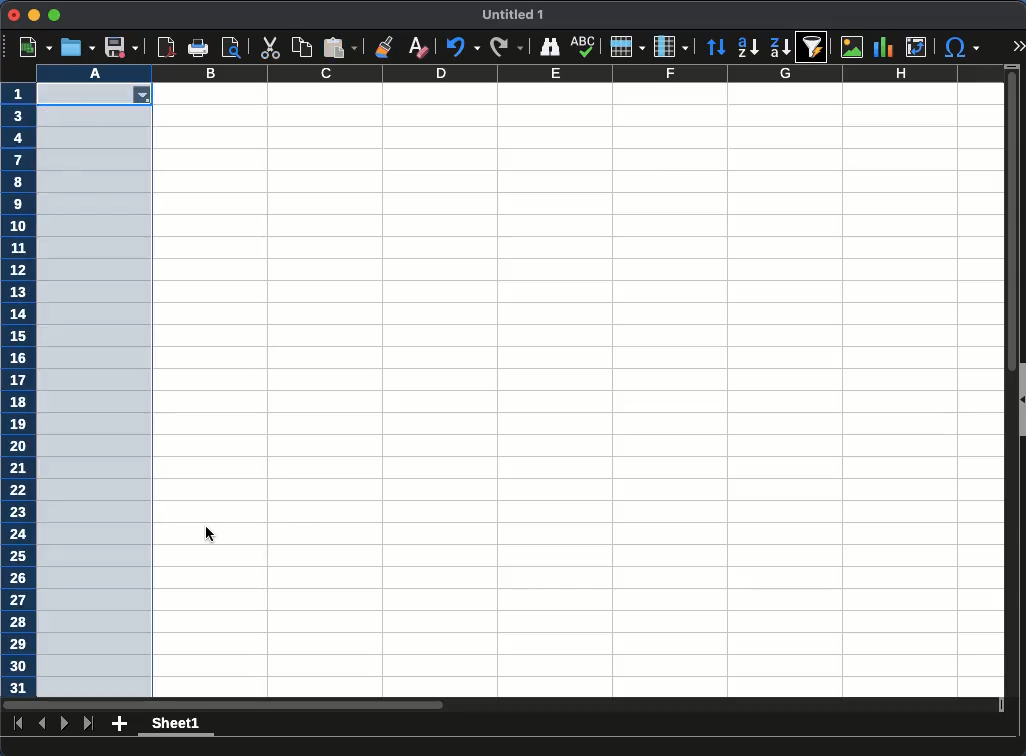  I want to click on expand, so click(1017, 45).